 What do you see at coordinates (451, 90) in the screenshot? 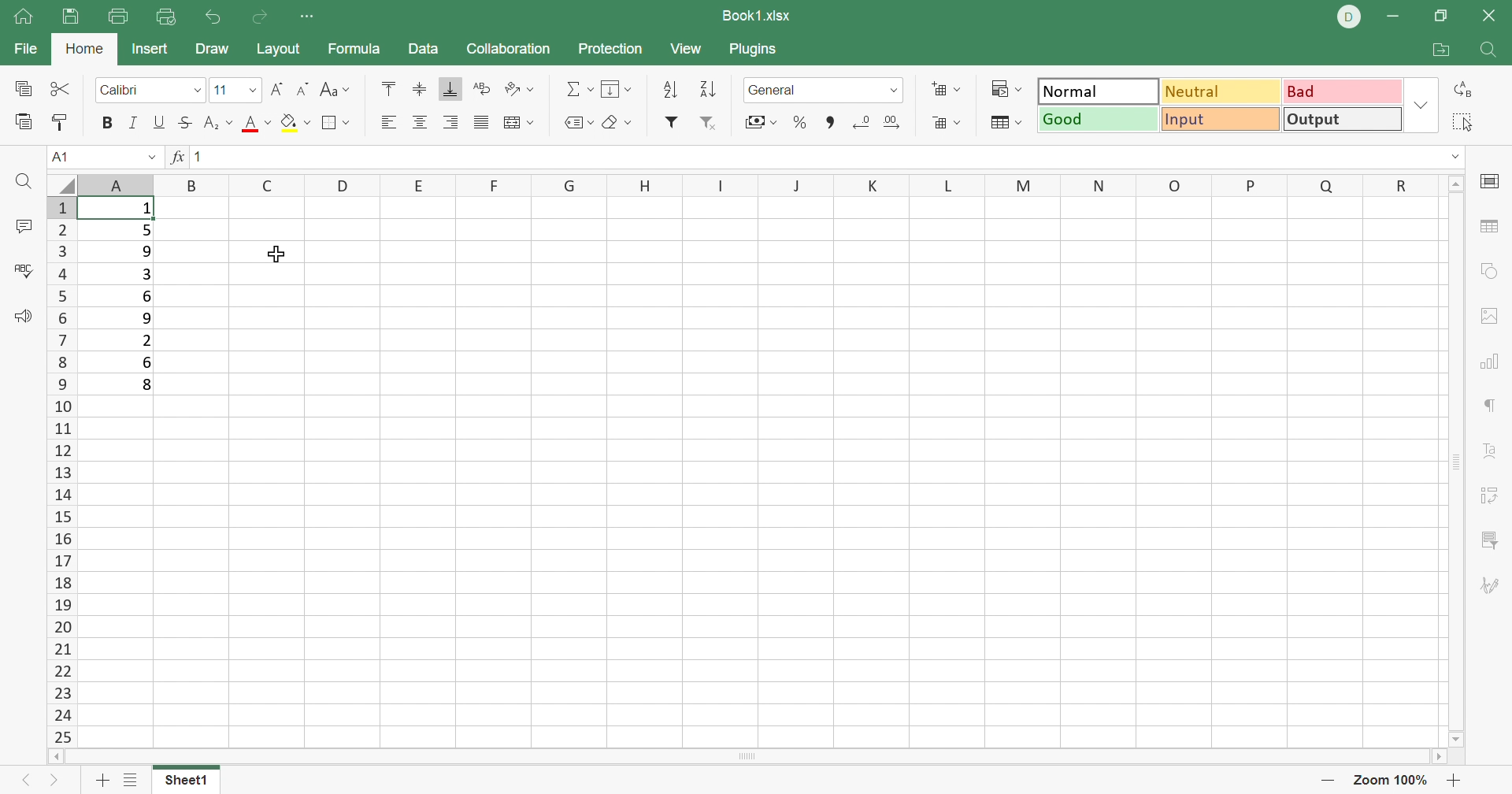
I see `Align Bottom` at bounding box center [451, 90].